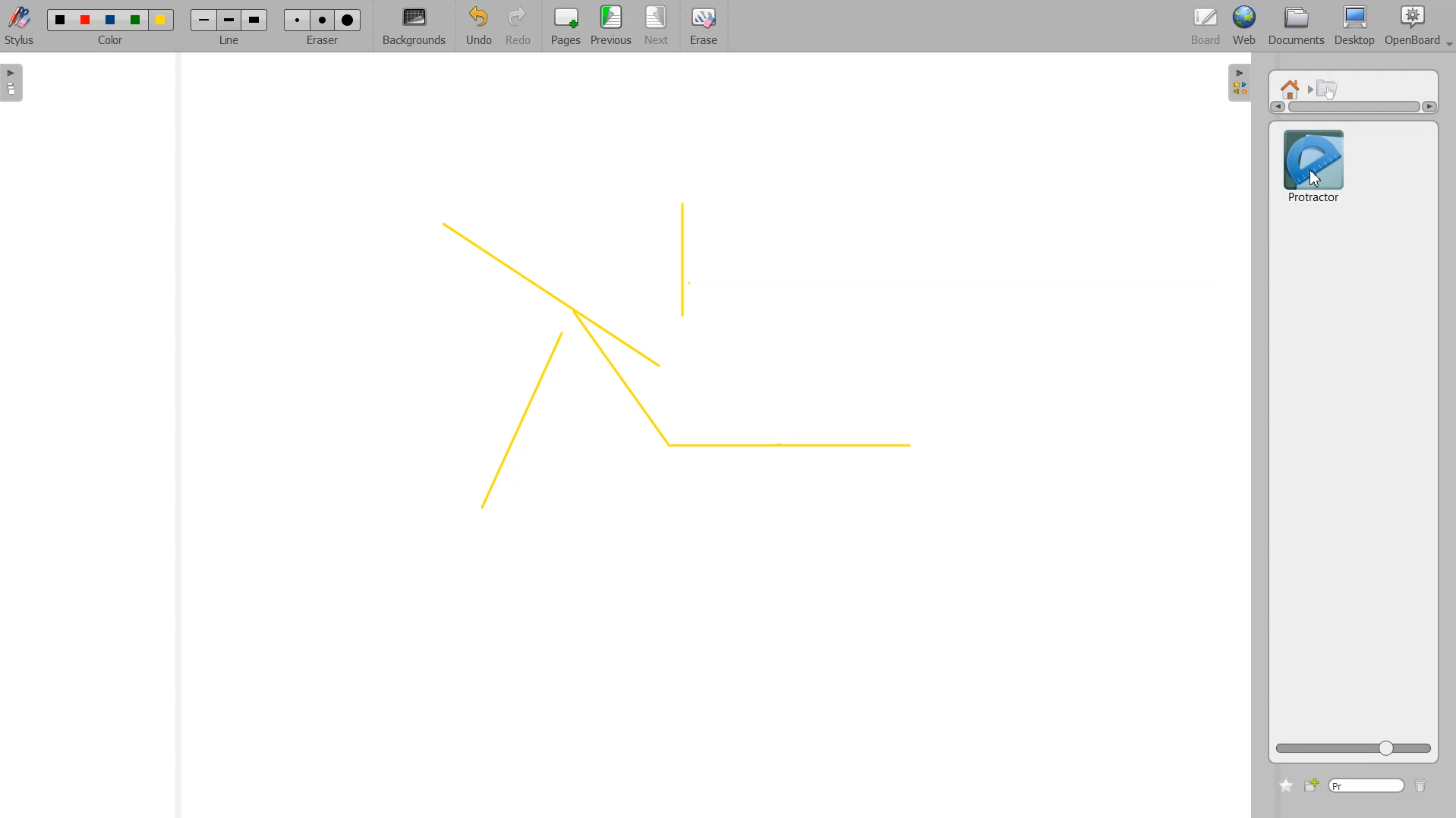  Describe the element at coordinates (1421, 787) in the screenshot. I see `Delete` at that location.